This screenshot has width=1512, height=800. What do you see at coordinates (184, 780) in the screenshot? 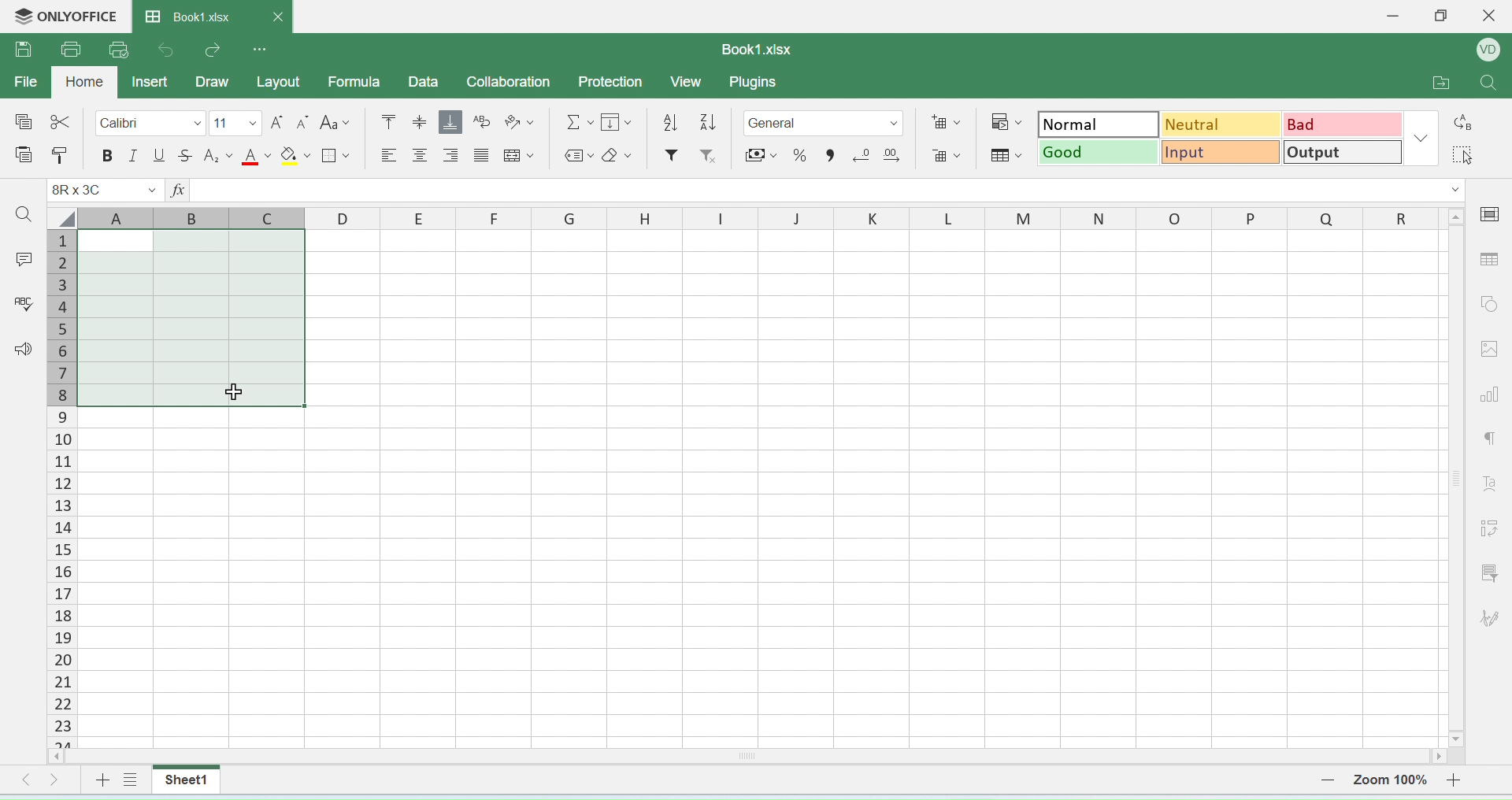
I see `sheet1` at bounding box center [184, 780].